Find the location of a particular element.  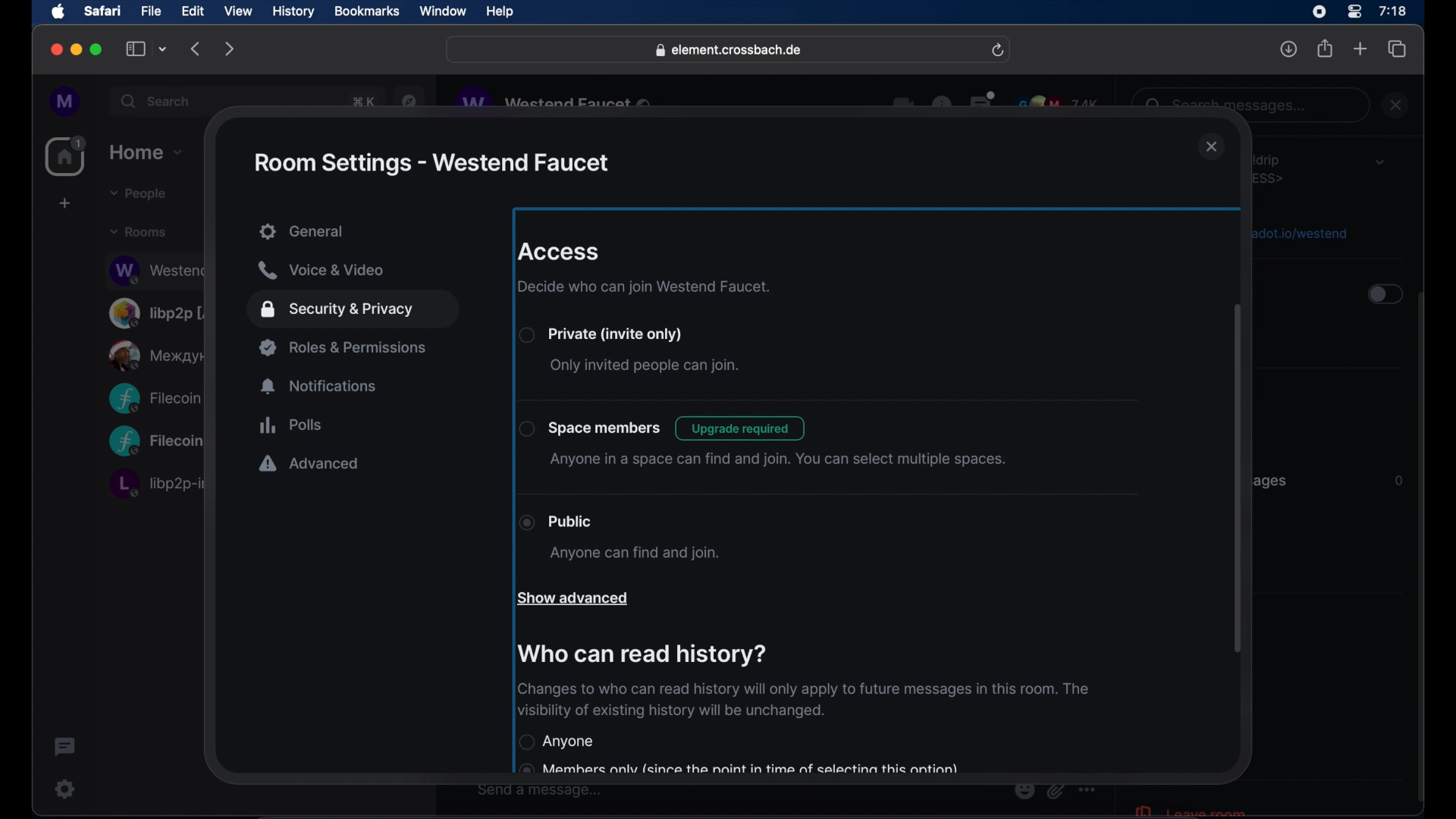

safari is located at coordinates (102, 11).